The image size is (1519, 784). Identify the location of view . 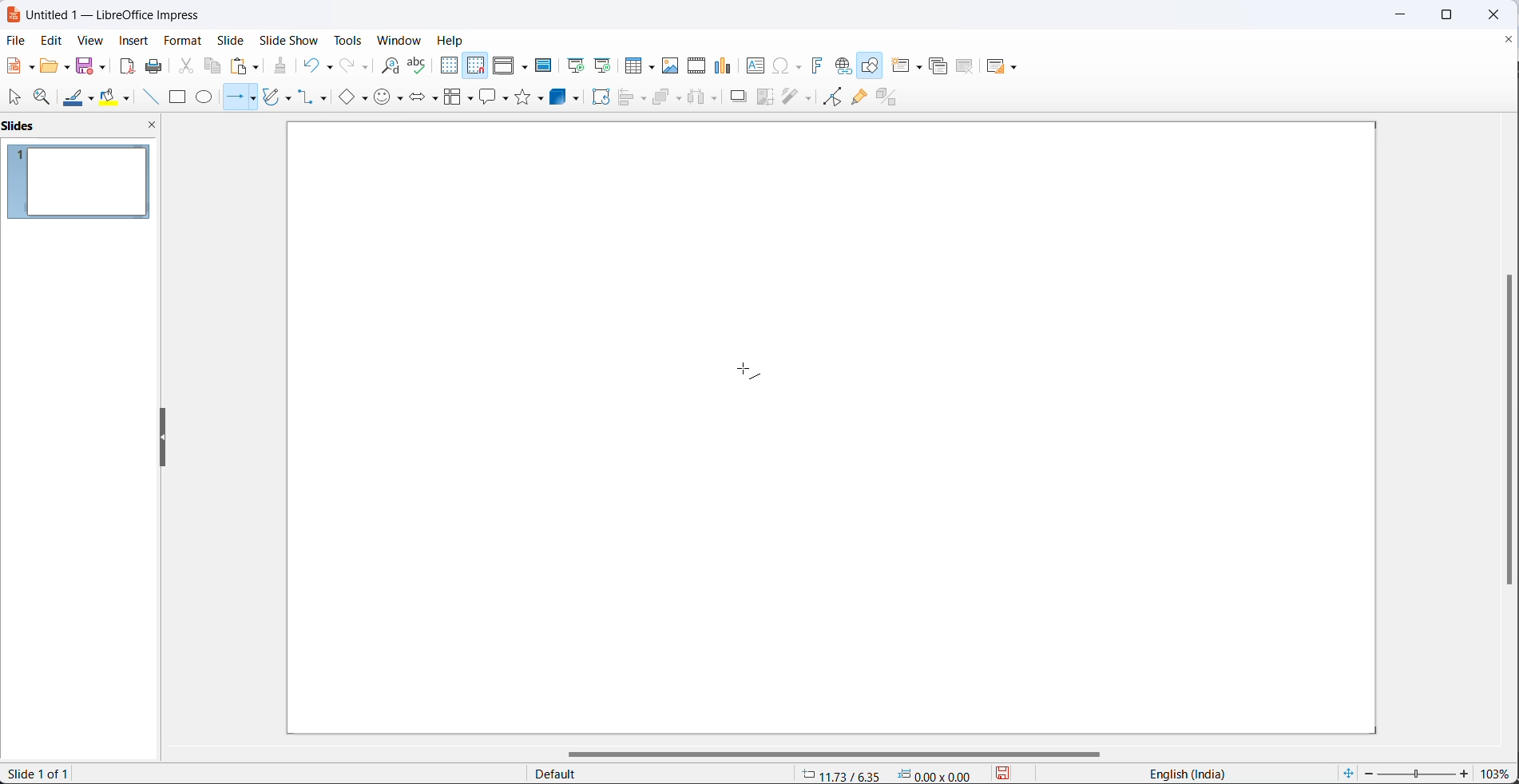
(91, 40).